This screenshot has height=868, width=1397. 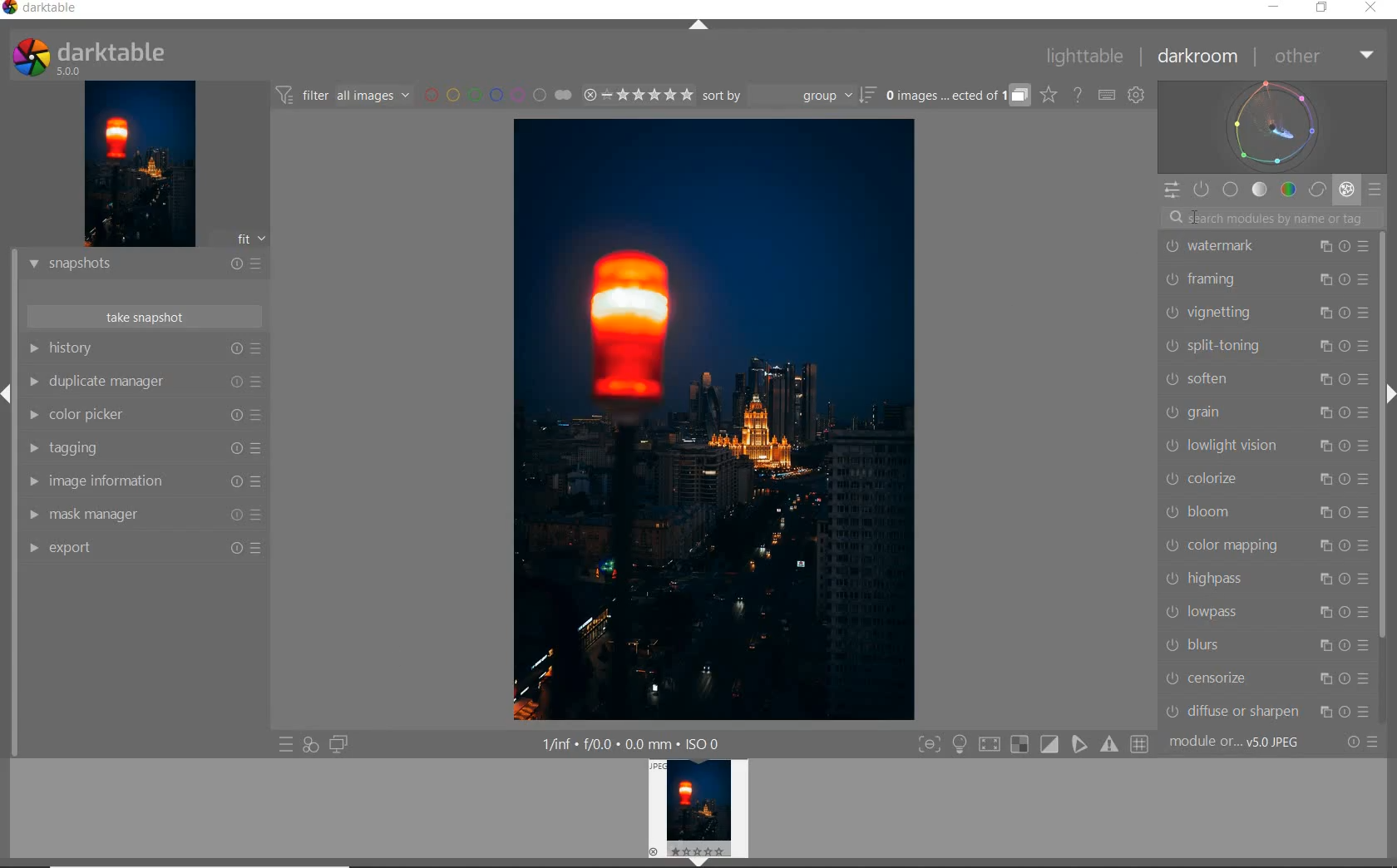 I want to click on EXPORT, so click(x=112, y=548).